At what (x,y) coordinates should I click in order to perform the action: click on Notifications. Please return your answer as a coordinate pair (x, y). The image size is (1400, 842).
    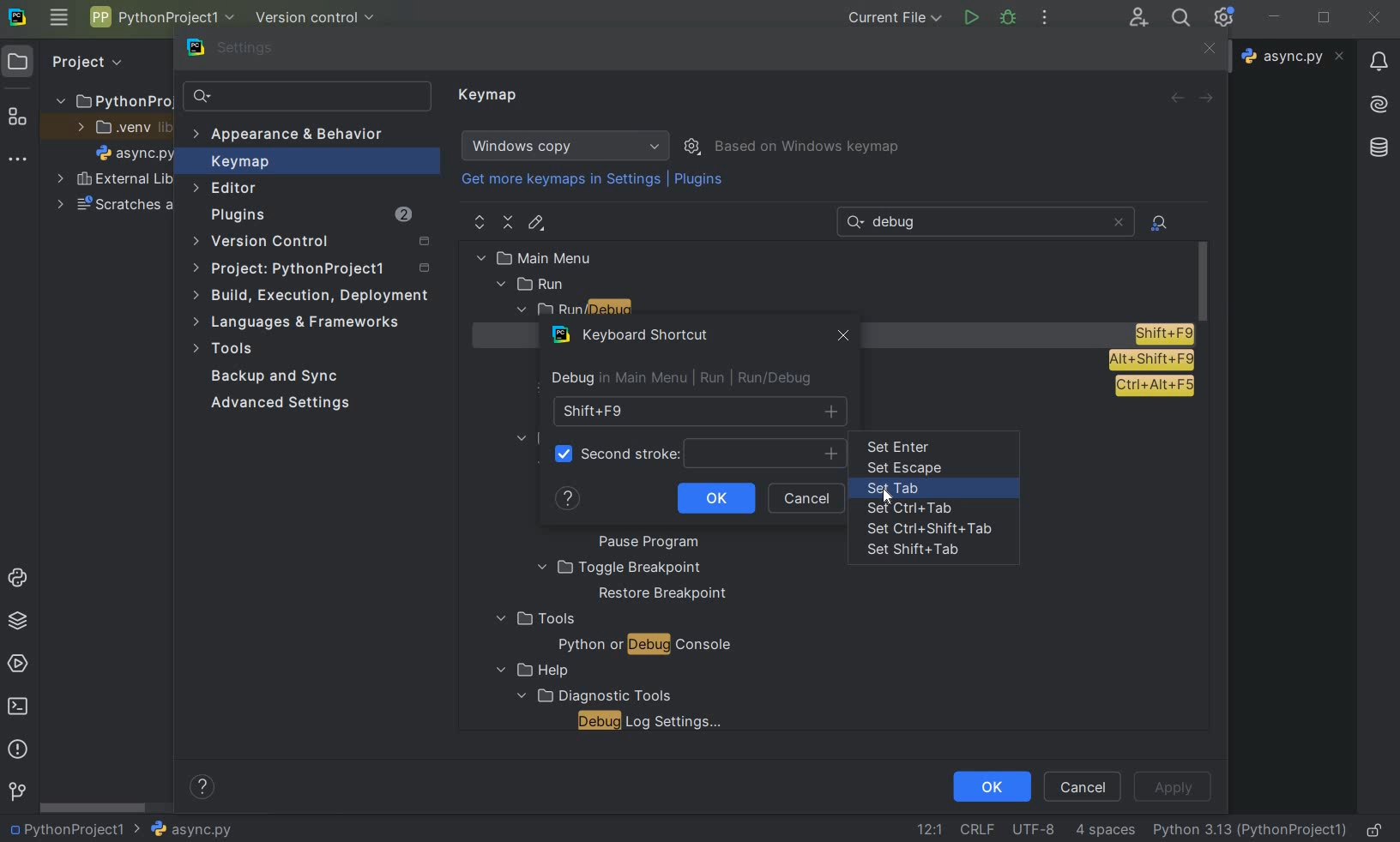
    Looking at the image, I should click on (1377, 56).